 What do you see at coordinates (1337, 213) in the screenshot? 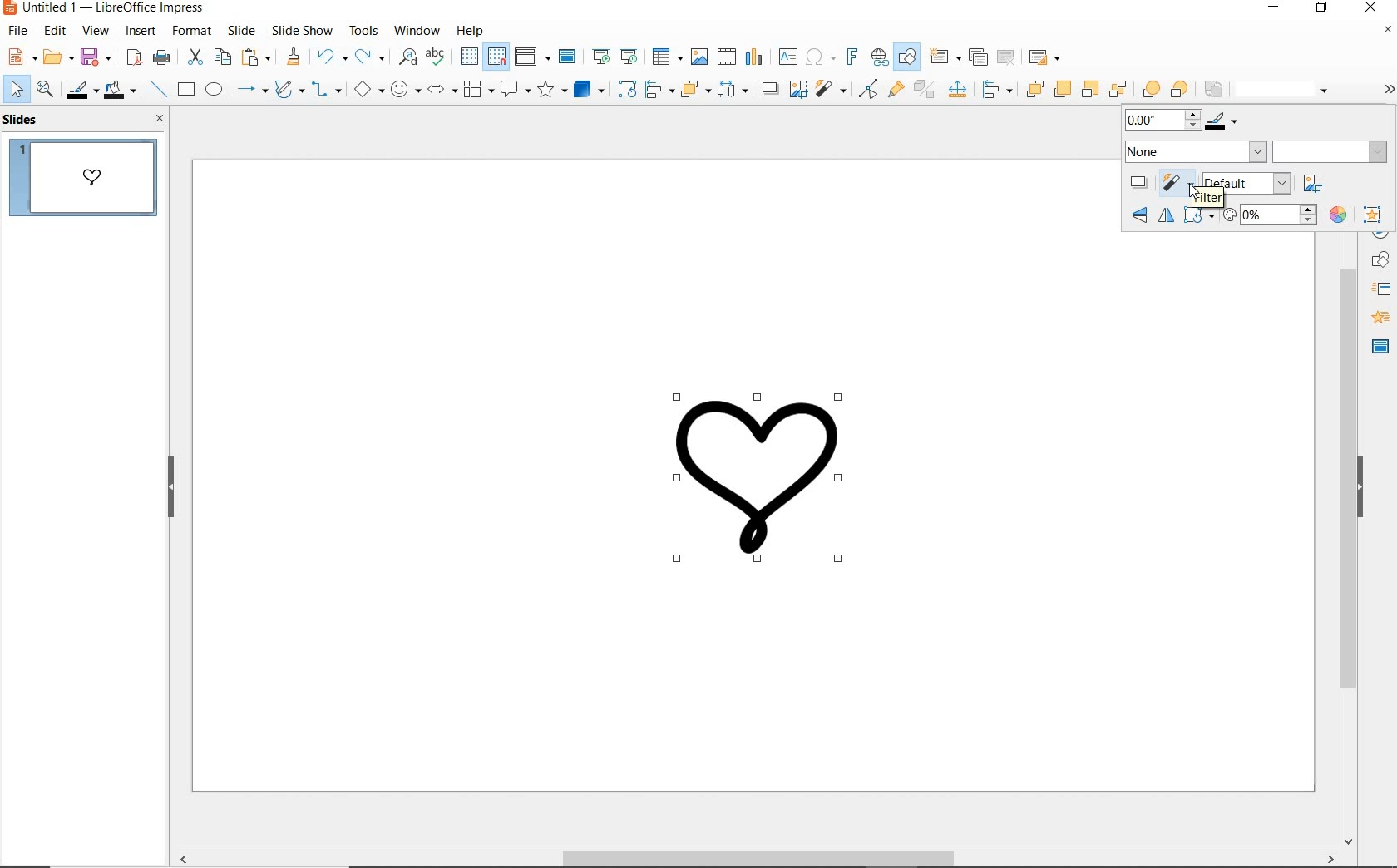
I see `color` at bounding box center [1337, 213].